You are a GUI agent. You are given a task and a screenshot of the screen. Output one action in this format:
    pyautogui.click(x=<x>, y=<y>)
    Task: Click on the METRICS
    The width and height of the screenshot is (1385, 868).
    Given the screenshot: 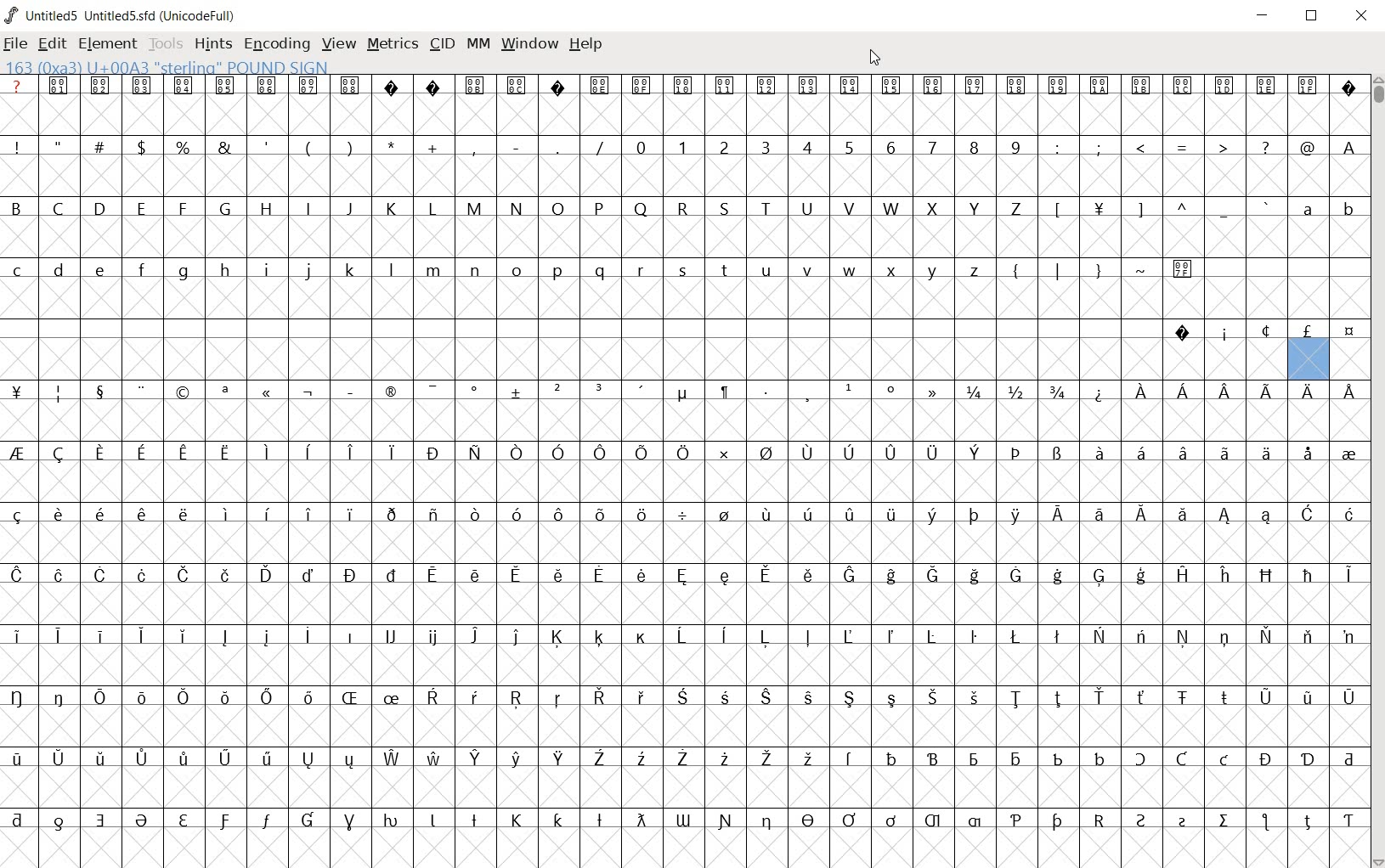 What is the action you would take?
    pyautogui.click(x=391, y=46)
    